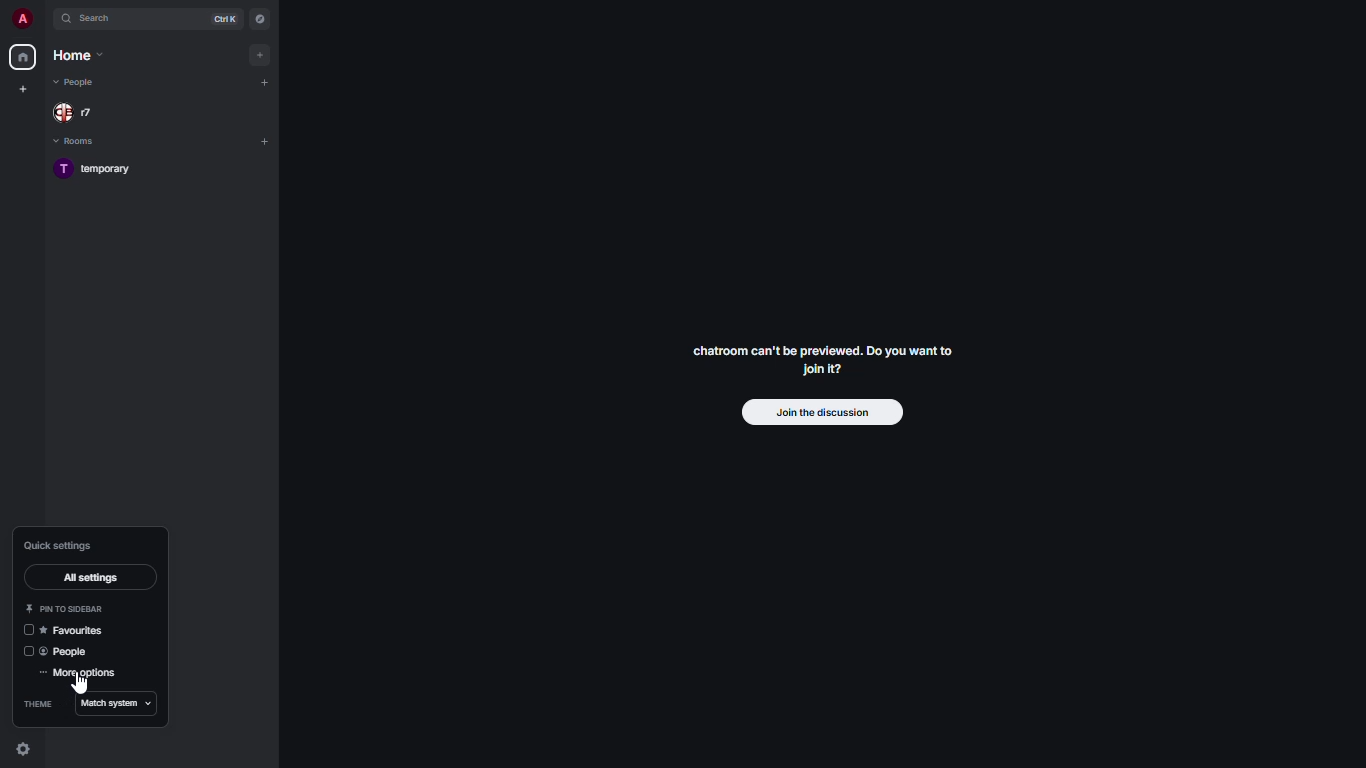 Image resolution: width=1366 pixels, height=768 pixels. What do you see at coordinates (77, 83) in the screenshot?
I see `people` at bounding box center [77, 83].